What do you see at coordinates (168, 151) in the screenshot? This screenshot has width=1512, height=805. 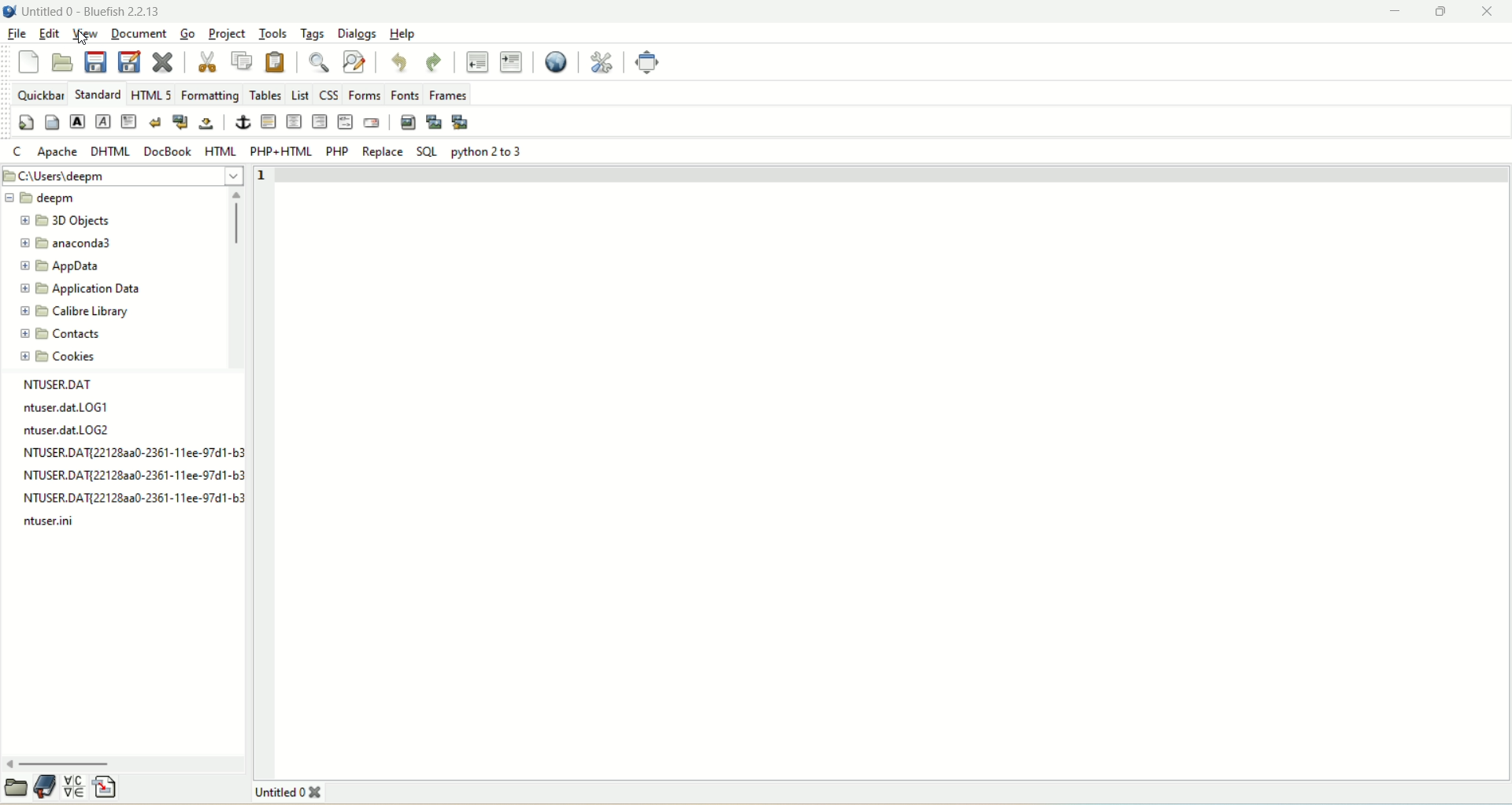 I see `docbook` at bounding box center [168, 151].